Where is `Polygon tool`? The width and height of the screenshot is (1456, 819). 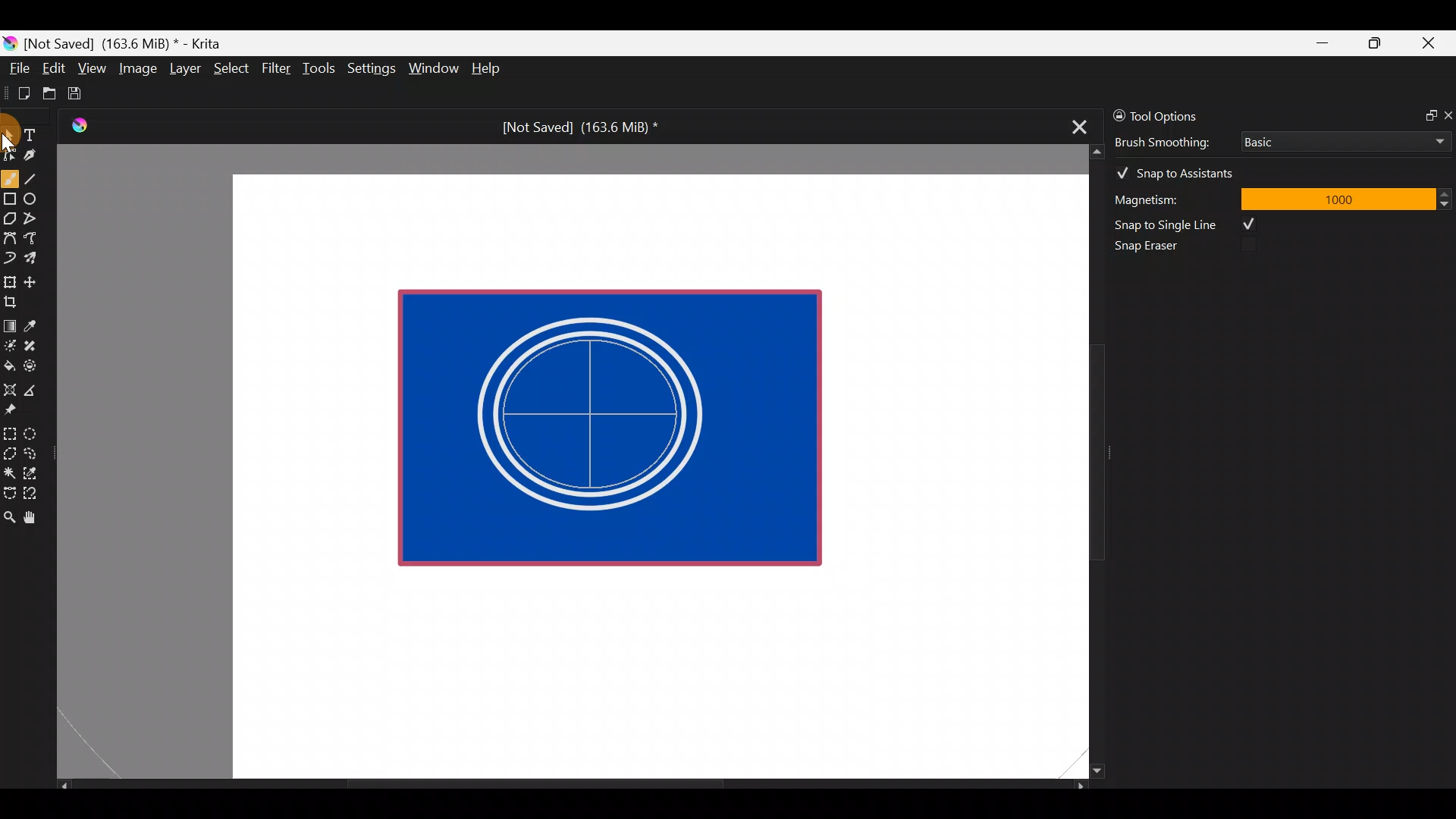
Polygon tool is located at coordinates (9, 219).